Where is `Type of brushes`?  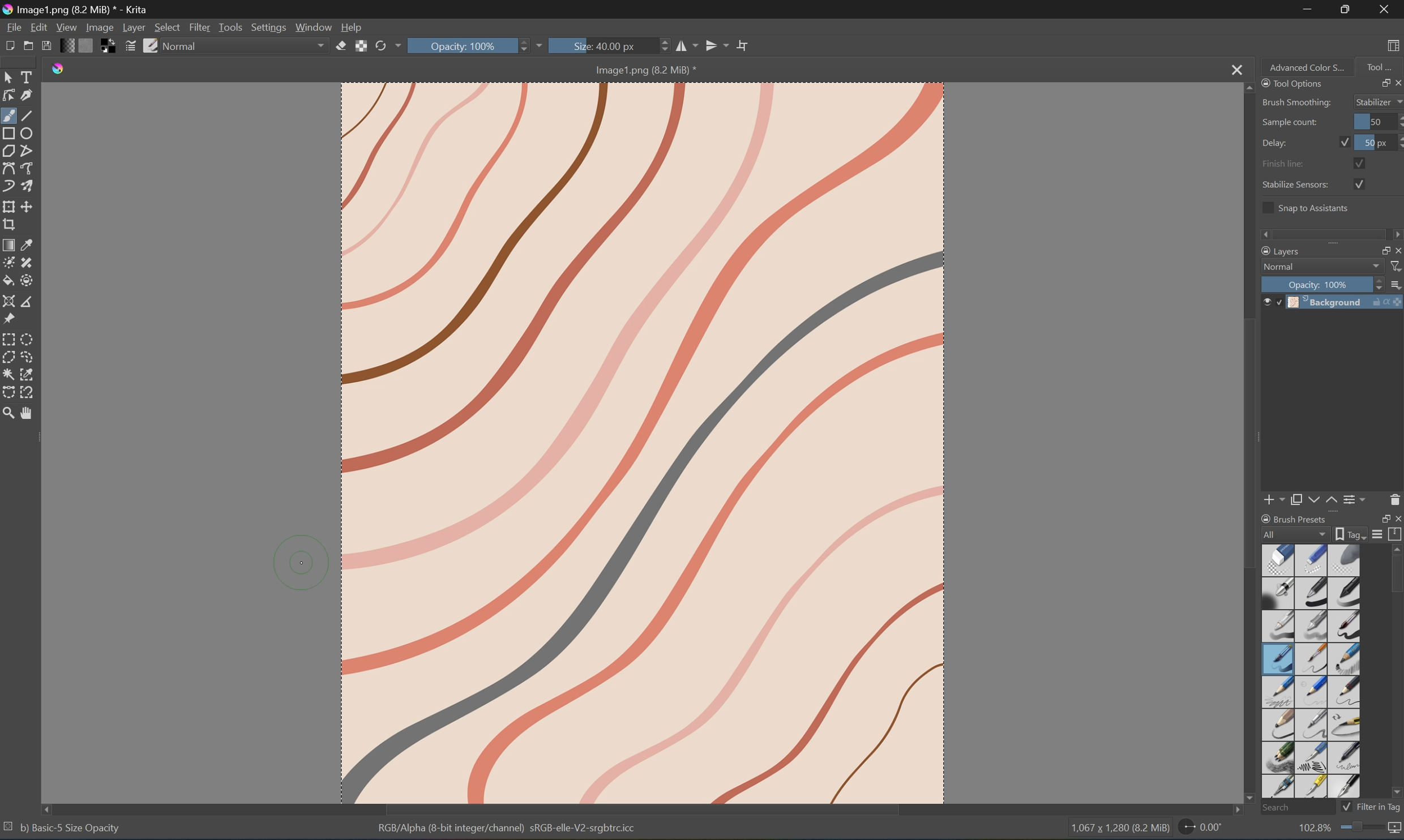
Type of brushes is located at coordinates (1310, 670).